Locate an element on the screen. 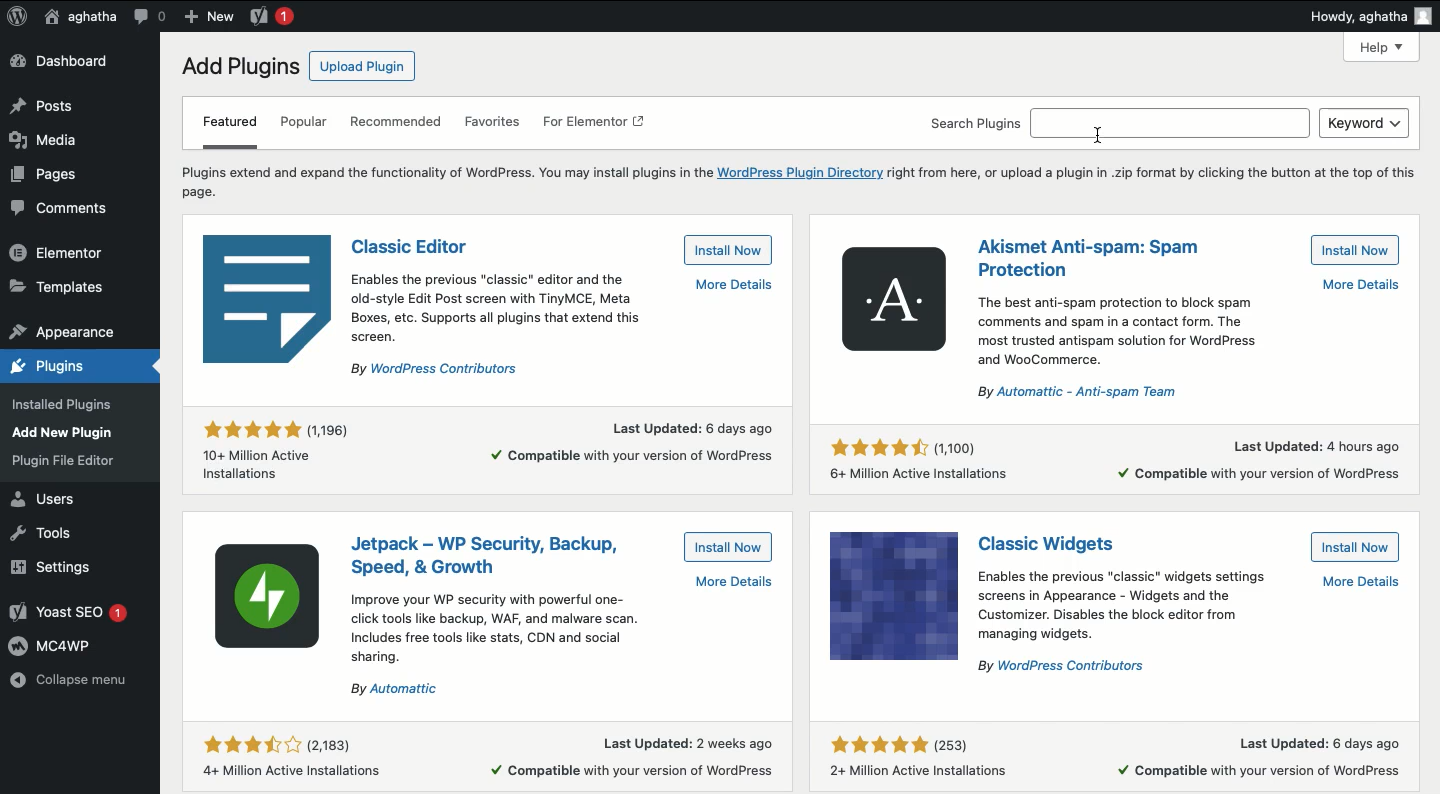 This screenshot has width=1440, height=794. Plugin is located at coordinates (412, 244).